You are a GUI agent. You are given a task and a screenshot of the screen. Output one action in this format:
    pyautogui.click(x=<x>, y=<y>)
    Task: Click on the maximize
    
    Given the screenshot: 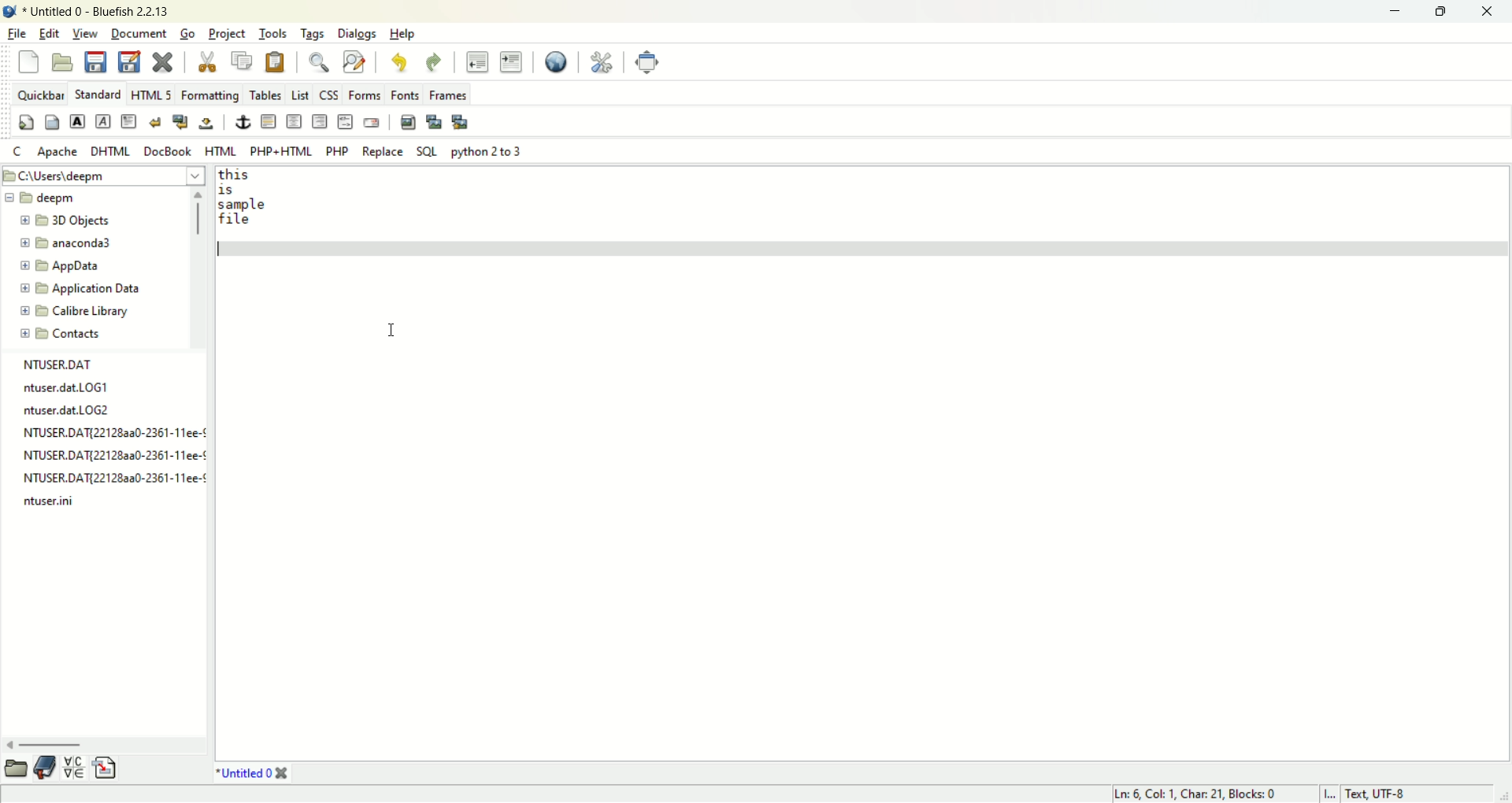 What is the action you would take?
    pyautogui.click(x=1437, y=13)
    